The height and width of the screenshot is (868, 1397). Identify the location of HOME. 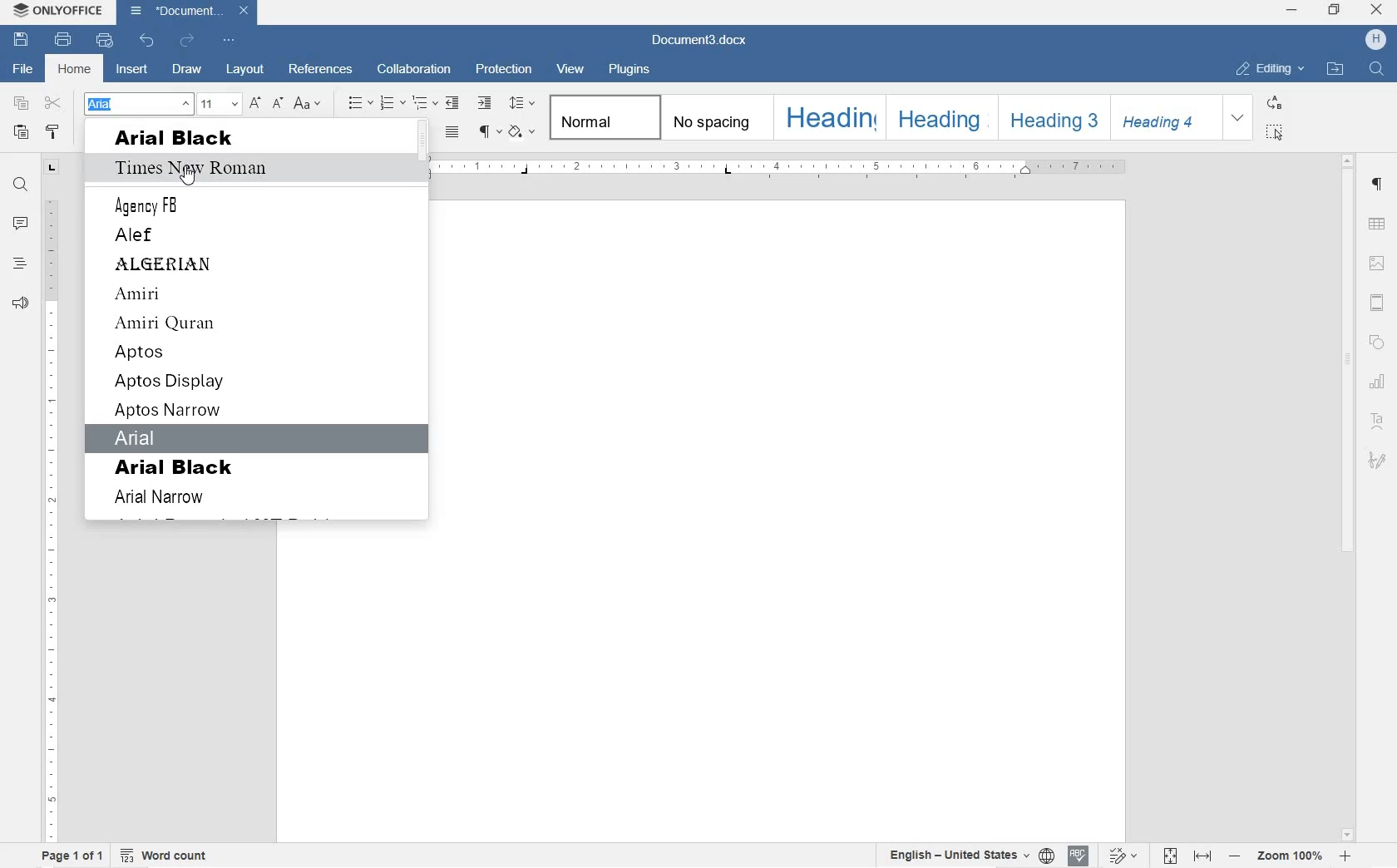
(74, 69).